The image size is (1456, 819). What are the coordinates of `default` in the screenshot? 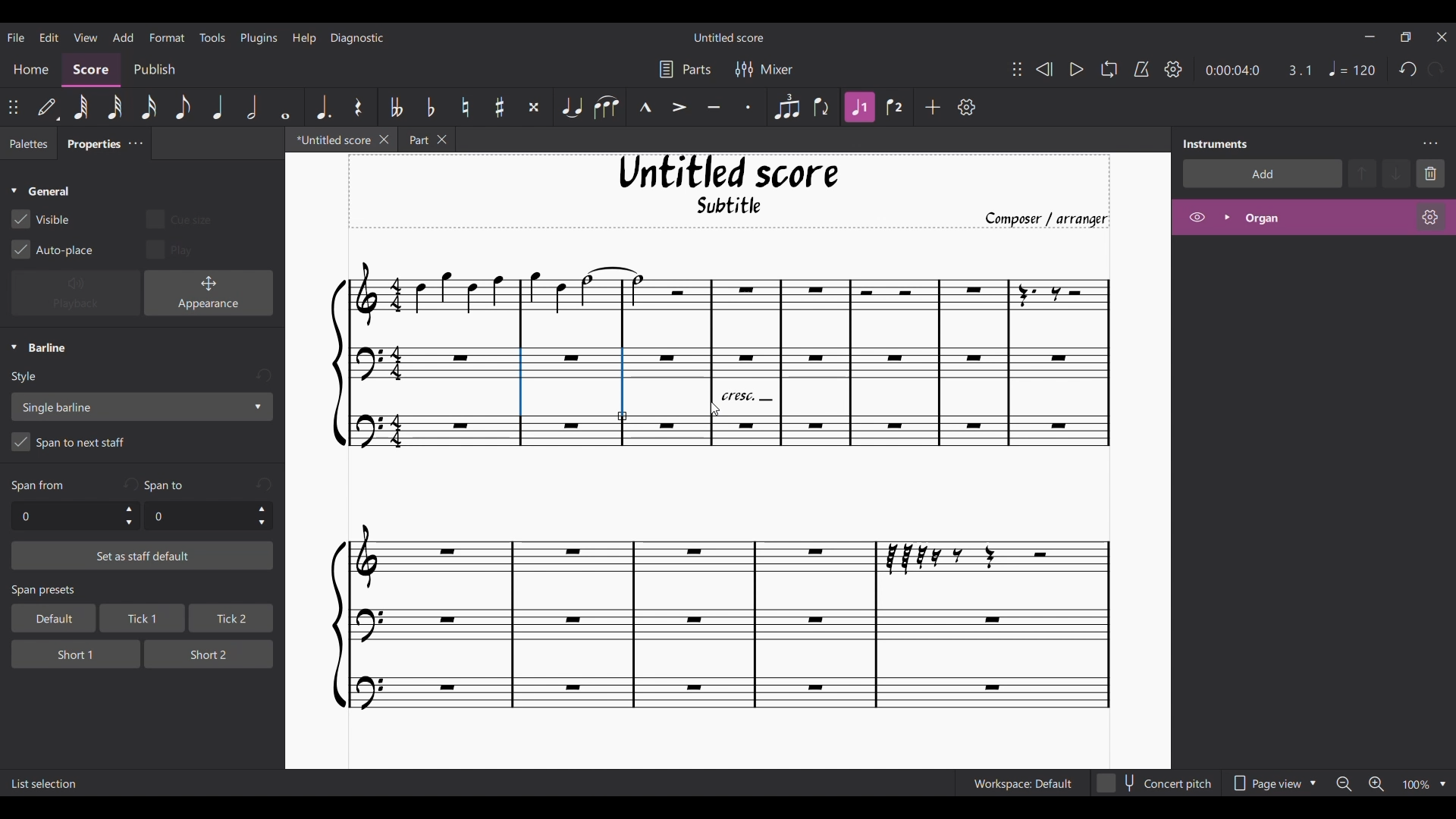 It's located at (49, 618).